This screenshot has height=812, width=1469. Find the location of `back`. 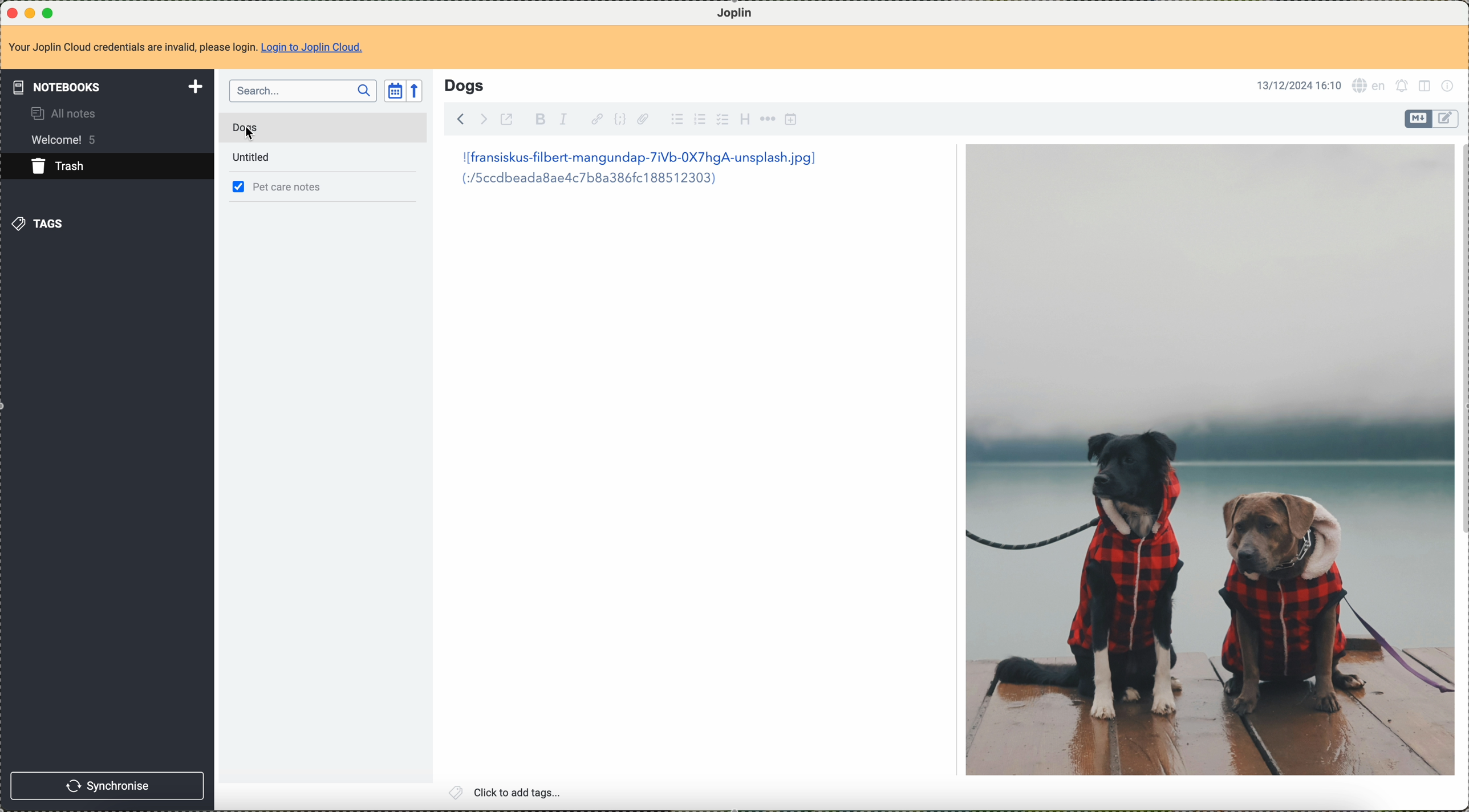

back is located at coordinates (462, 119).